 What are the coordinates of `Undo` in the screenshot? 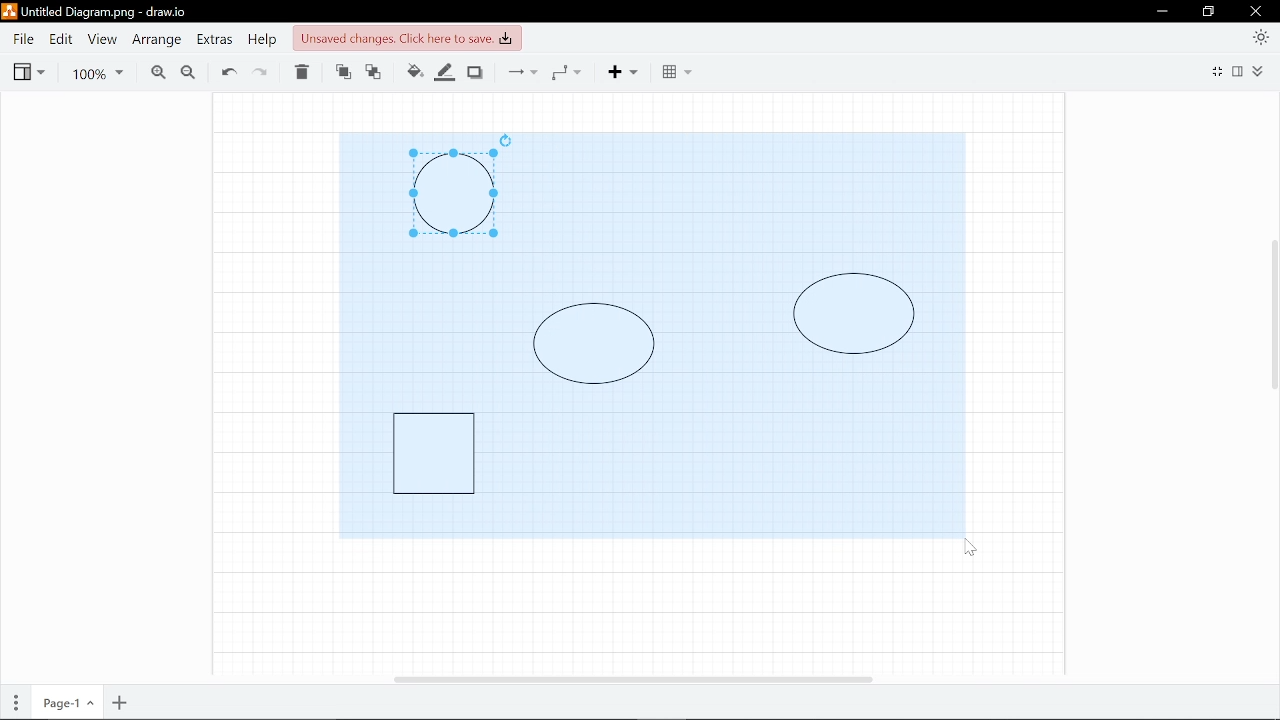 It's located at (228, 71).